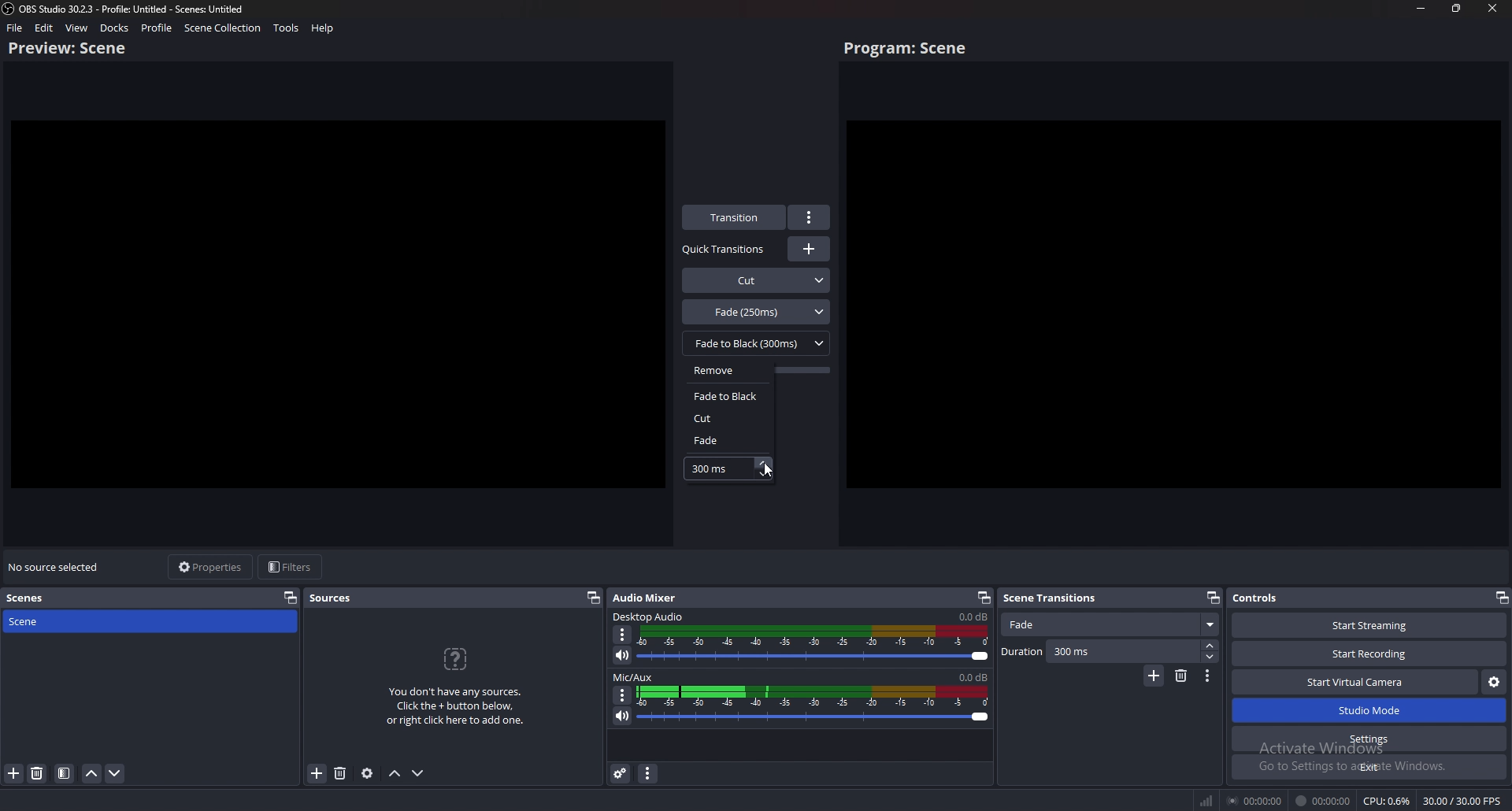  What do you see at coordinates (729, 395) in the screenshot?
I see `fade to black` at bounding box center [729, 395].